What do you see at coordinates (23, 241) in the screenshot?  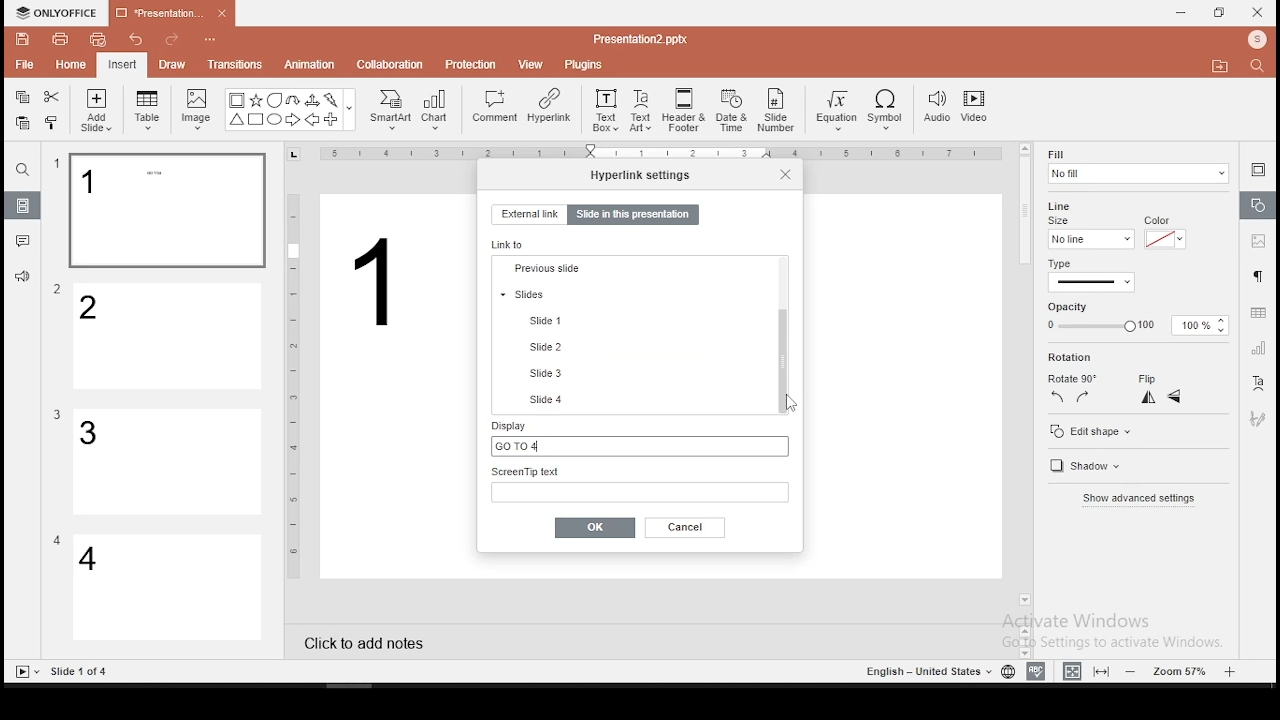 I see `comments` at bounding box center [23, 241].